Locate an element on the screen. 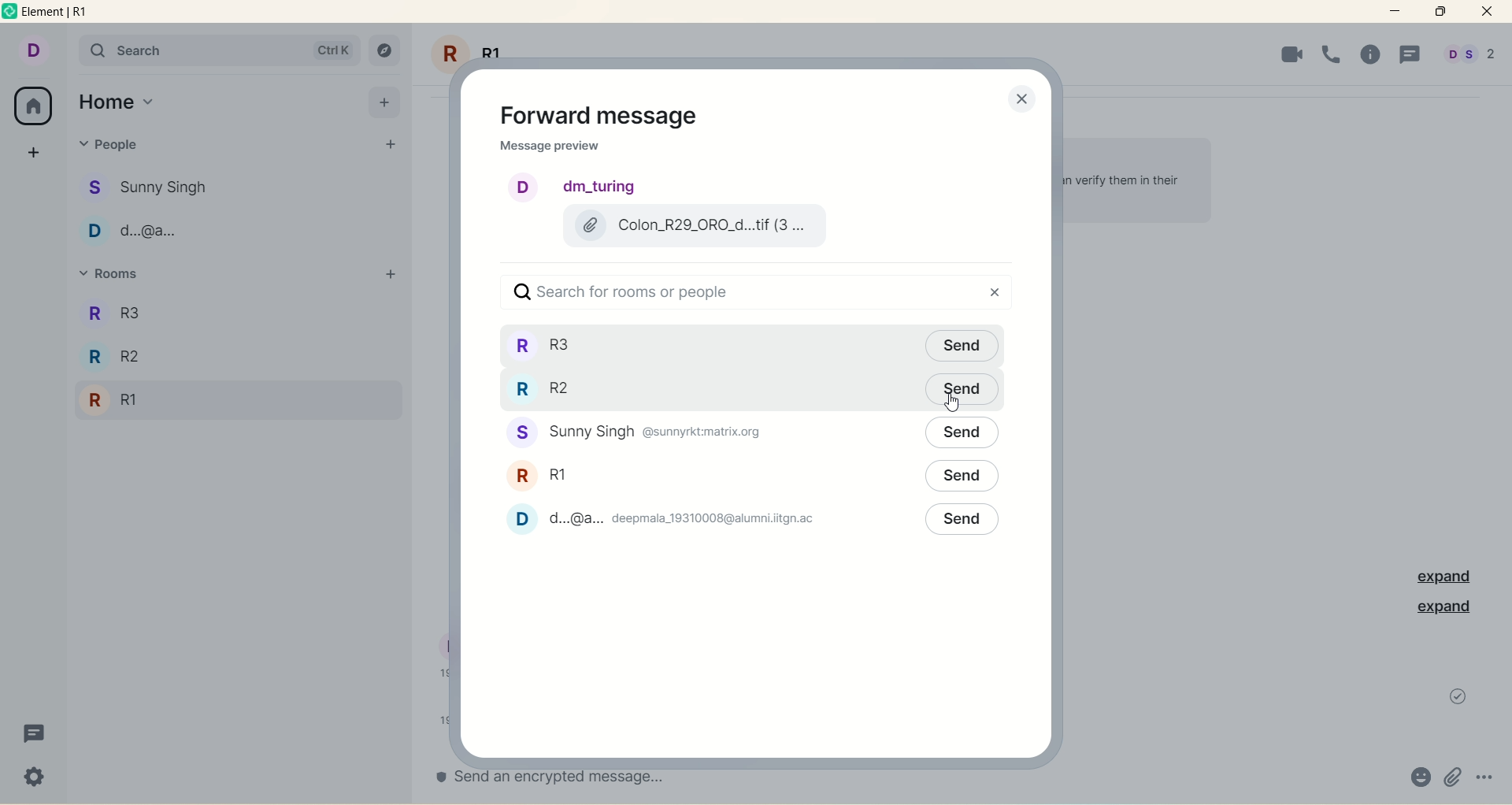  add is located at coordinates (390, 274).